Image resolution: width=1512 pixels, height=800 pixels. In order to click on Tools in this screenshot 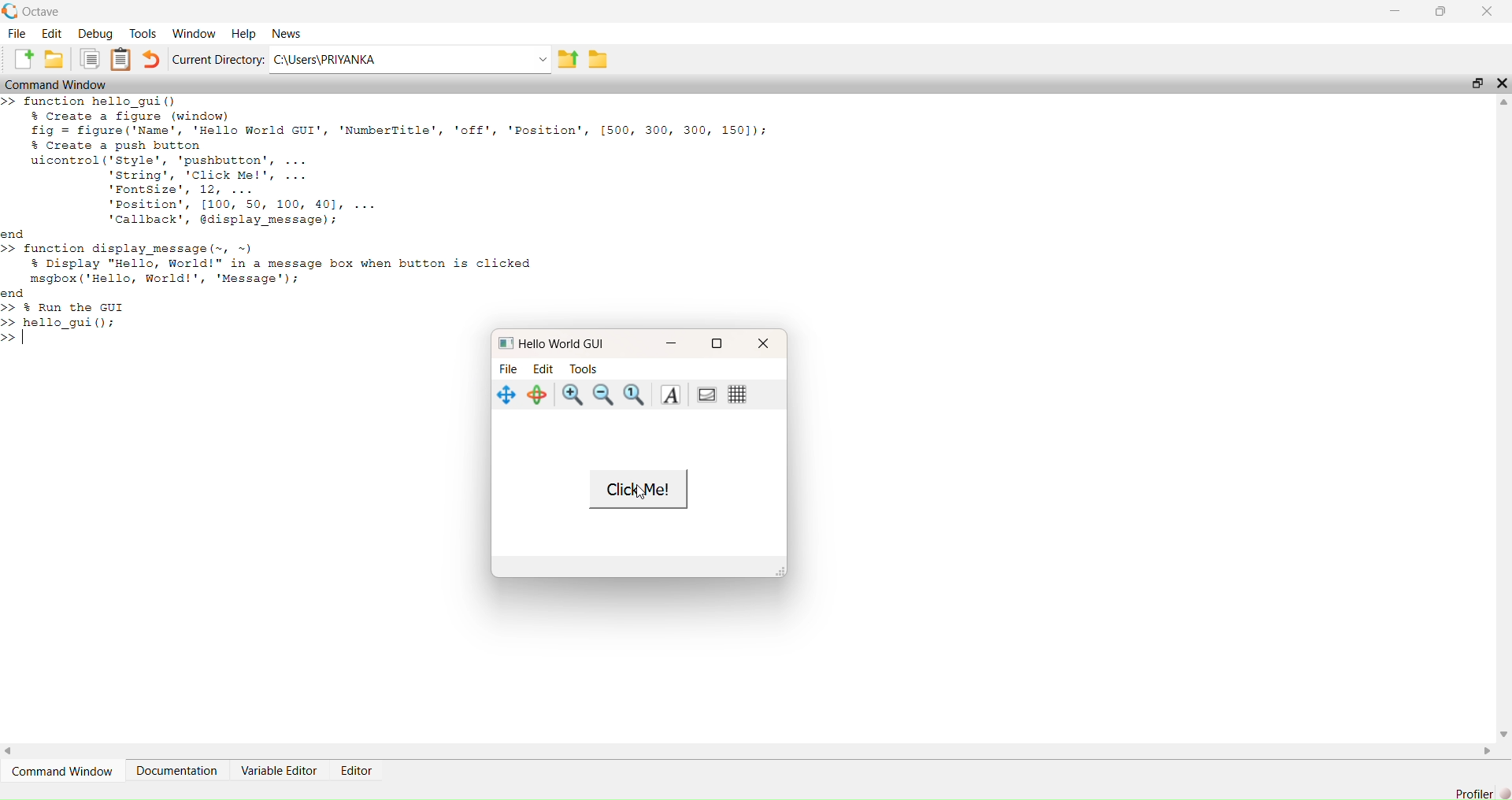, I will do `click(588, 368)`.